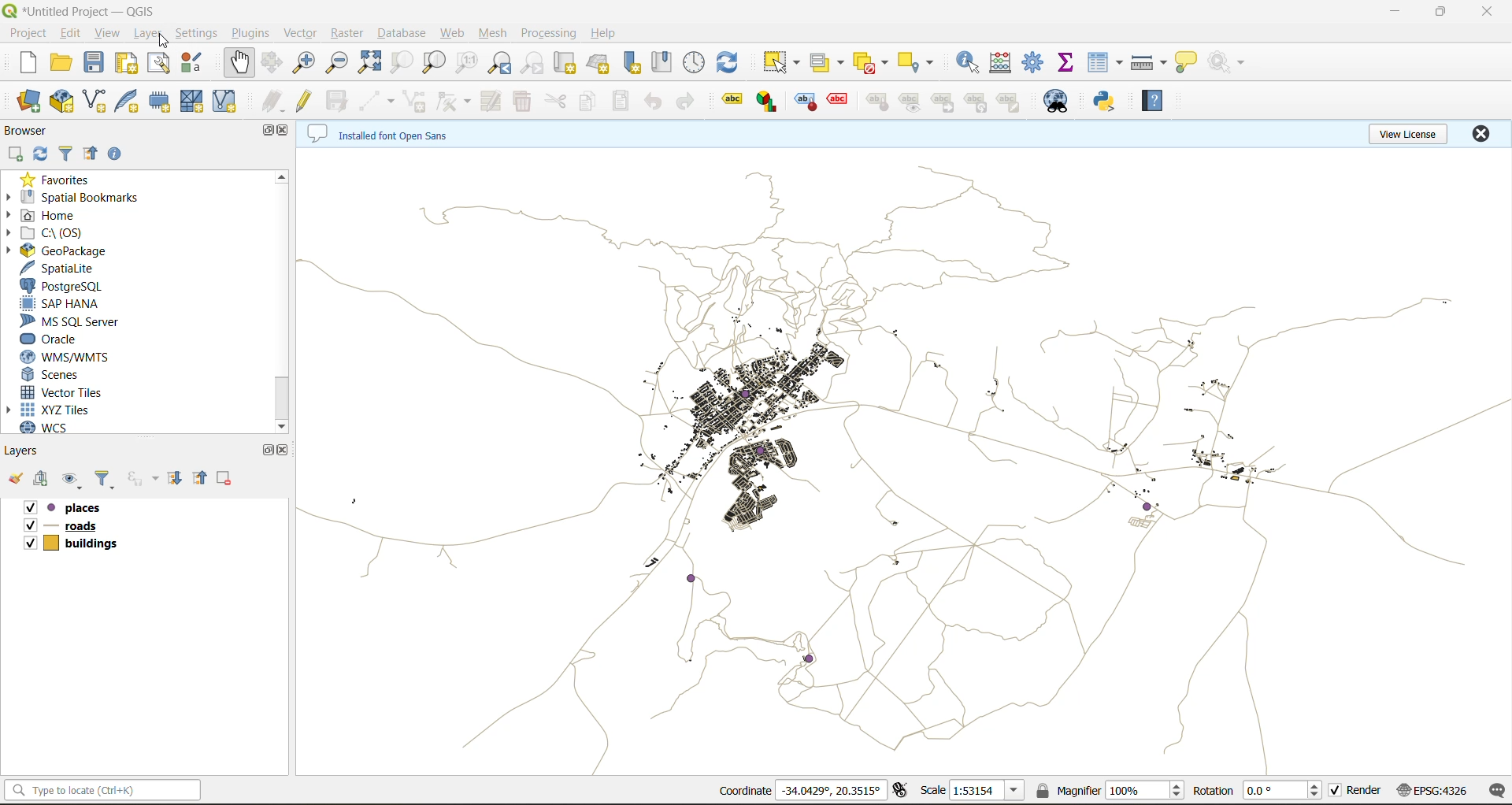 This screenshot has width=1512, height=805. What do you see at coordinates (919, 61) in the screenshot?
I see `select location` at bounding box center [919, 61].